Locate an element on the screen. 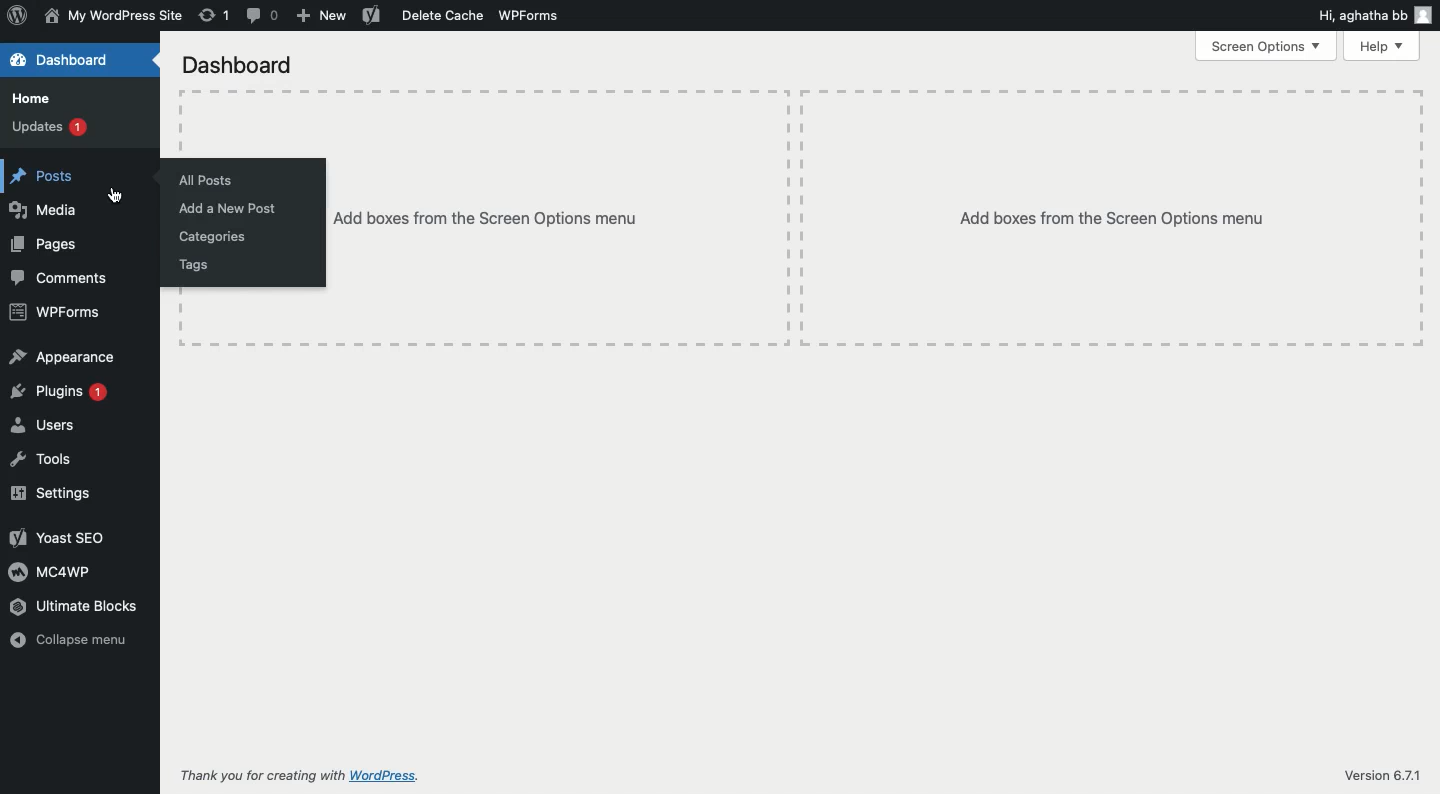 This screenshot has height=794, width=1440. Dashboard is located at coordinates (66, 62).